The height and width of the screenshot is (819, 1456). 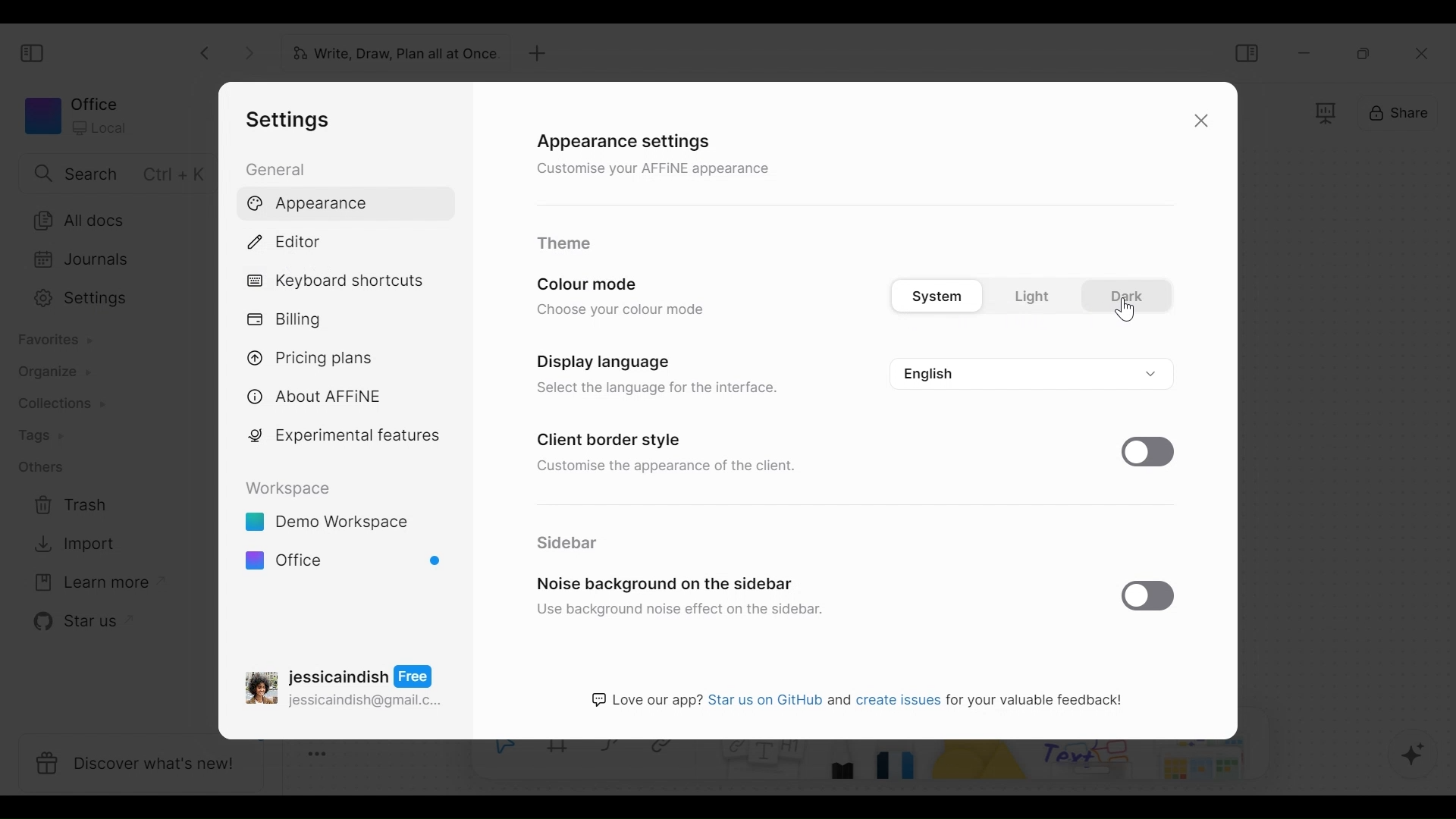 What do you see at coordinates (1414, 755) in the screenshot?
I see `AFFiNE AI` at bounding box center [1414, 755].